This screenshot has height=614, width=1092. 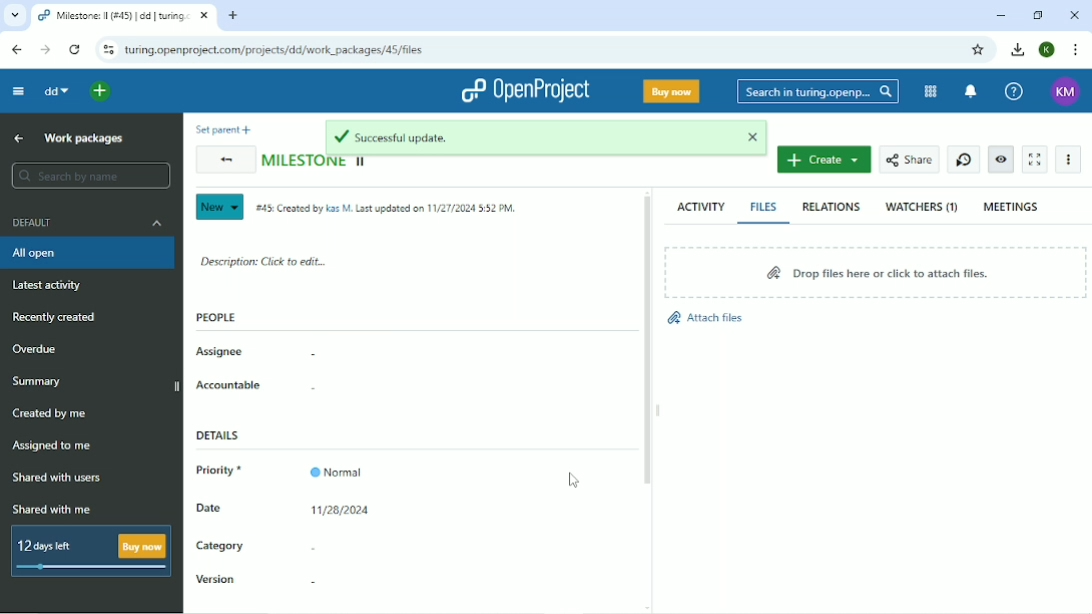 What do you see at coordinates (1076, 49) in the screenshot?
I see `Customize and control google chrome` at bounding box center [1076, 49].